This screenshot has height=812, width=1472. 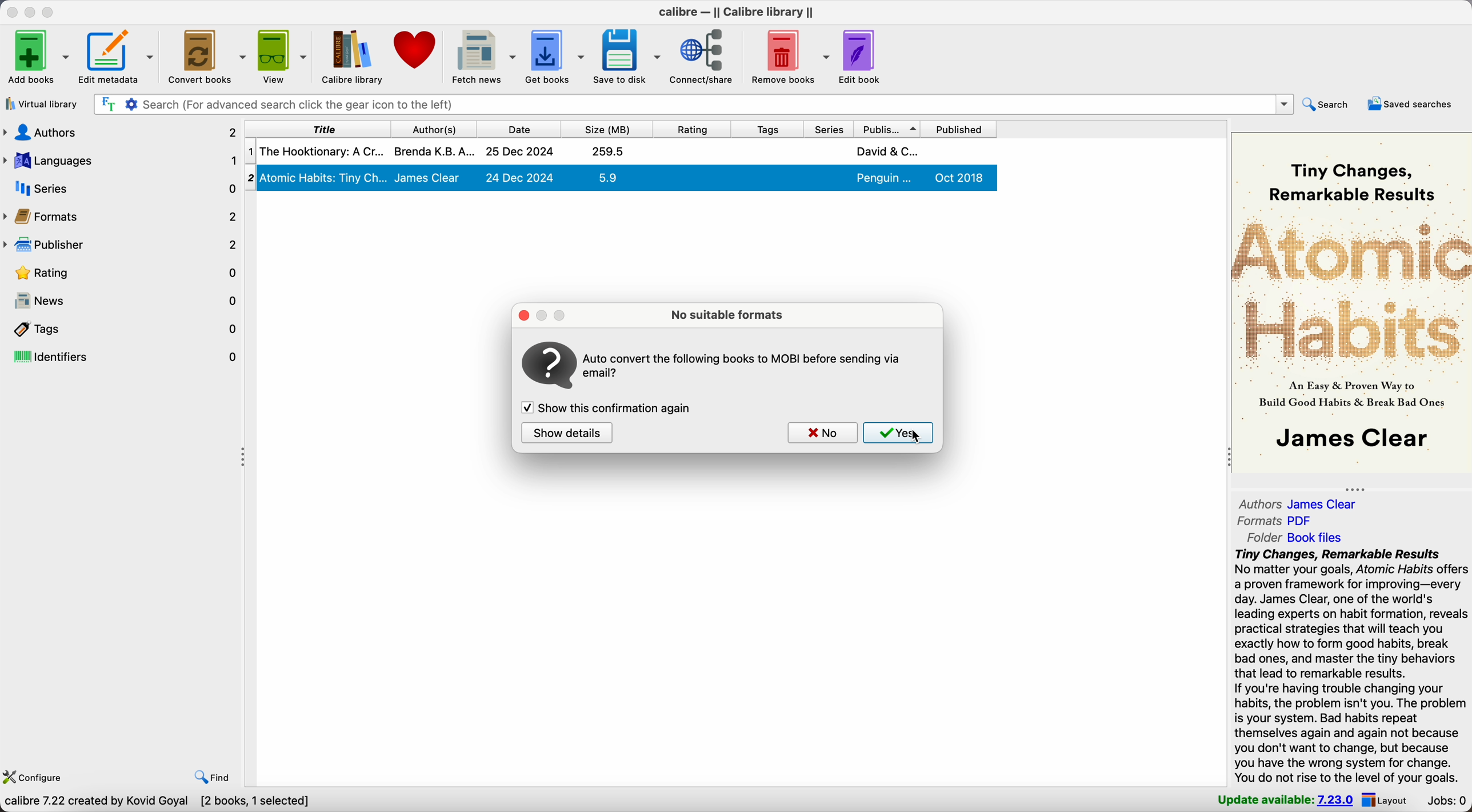 I want to click on series, so click(x=121, y=189).